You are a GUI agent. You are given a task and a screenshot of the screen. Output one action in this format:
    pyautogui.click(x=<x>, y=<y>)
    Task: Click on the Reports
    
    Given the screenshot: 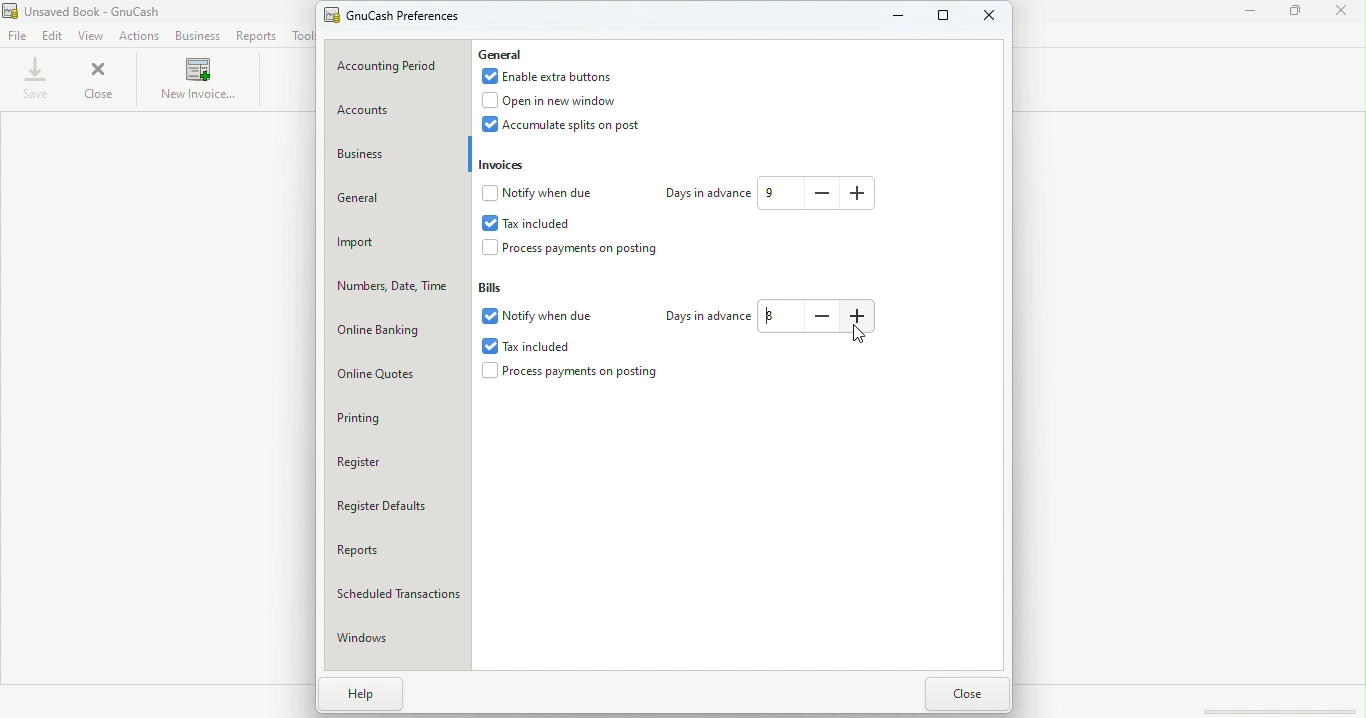 What is the action you would take?
    pyautogui.click(x=256, y=35)
    